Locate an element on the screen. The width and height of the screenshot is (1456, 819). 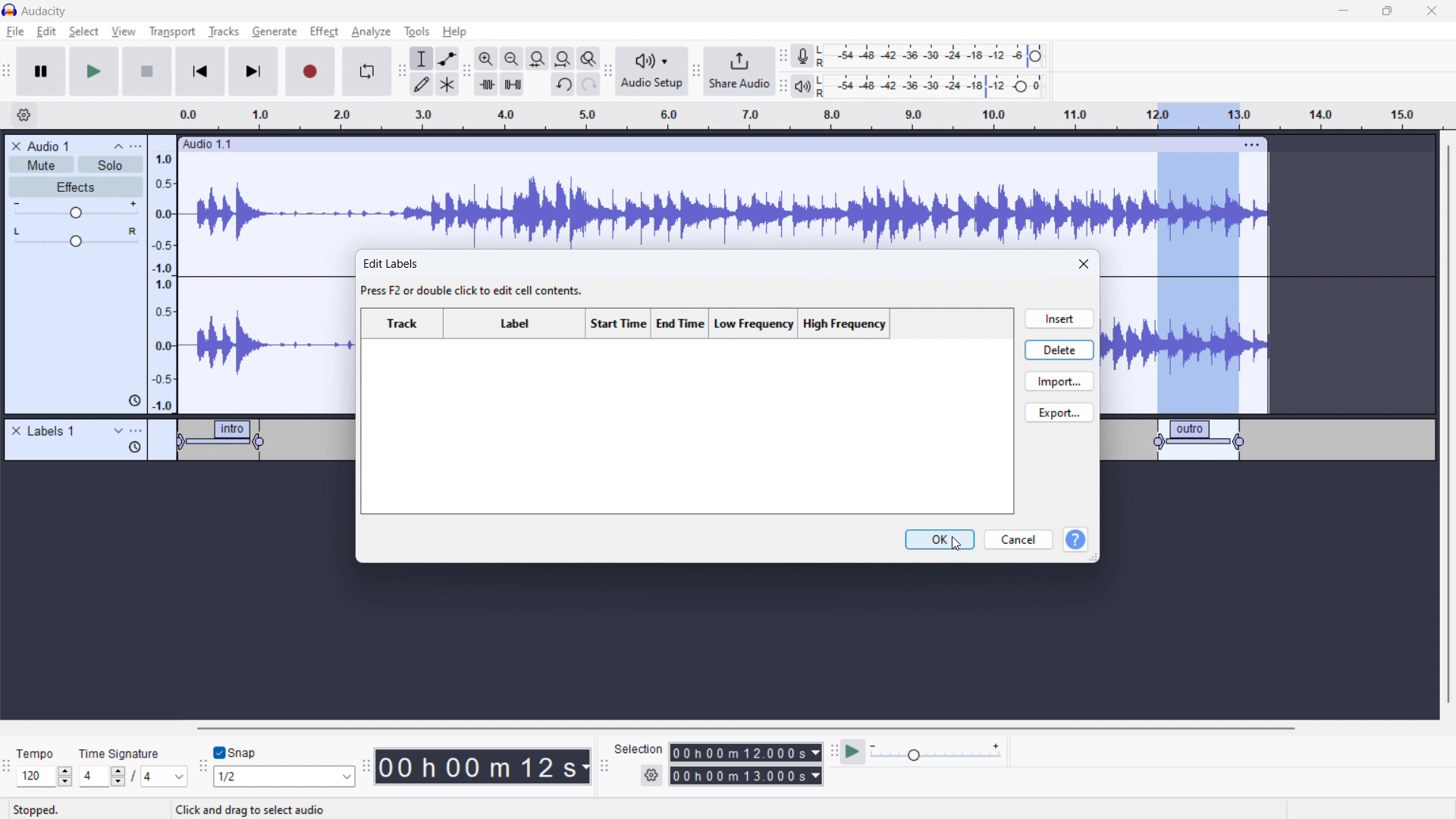
selection settings is located at coordinates (652, 776).